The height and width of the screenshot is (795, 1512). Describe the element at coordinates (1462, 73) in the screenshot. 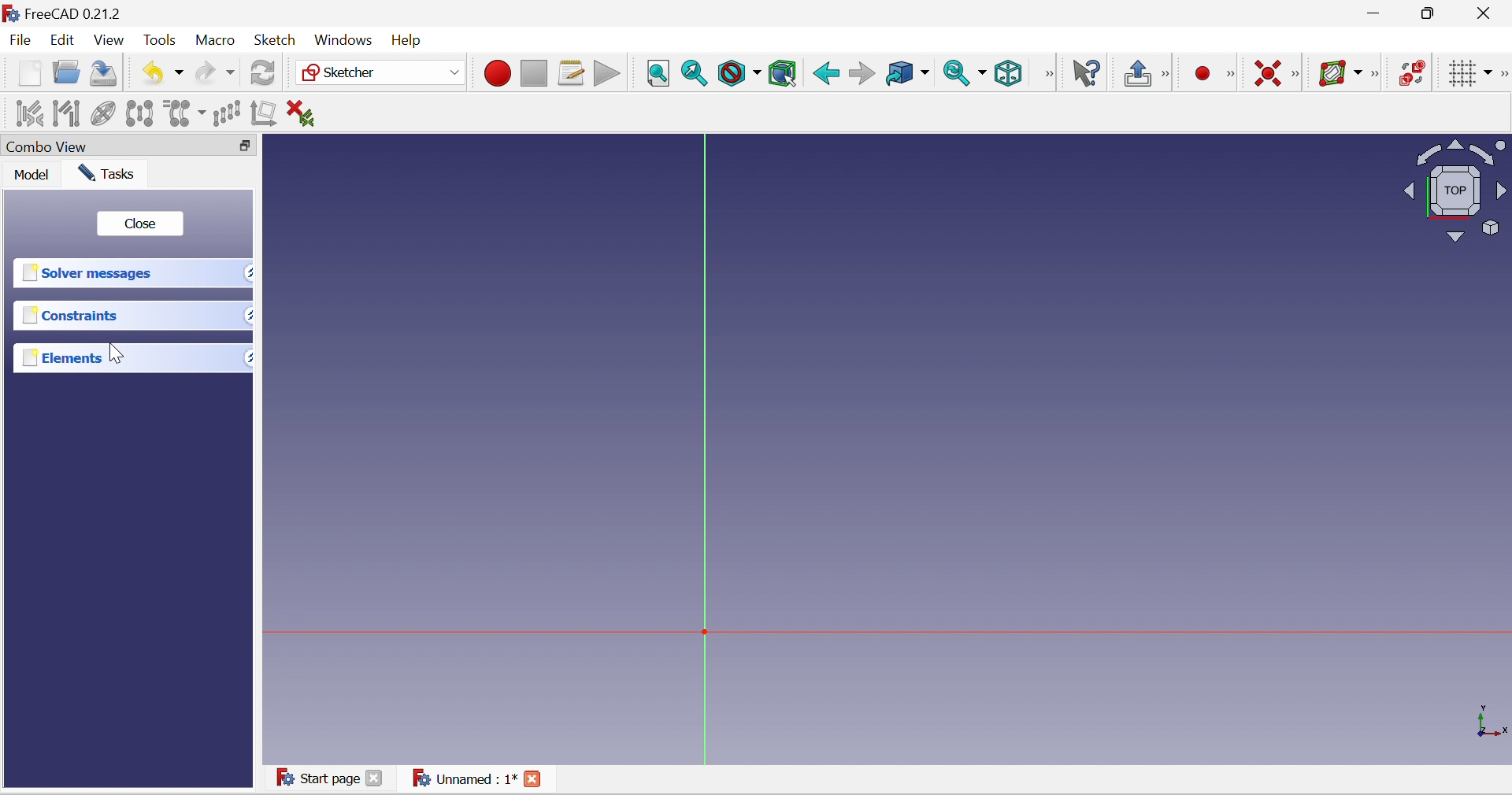

I see `Toggle grid` at that location.